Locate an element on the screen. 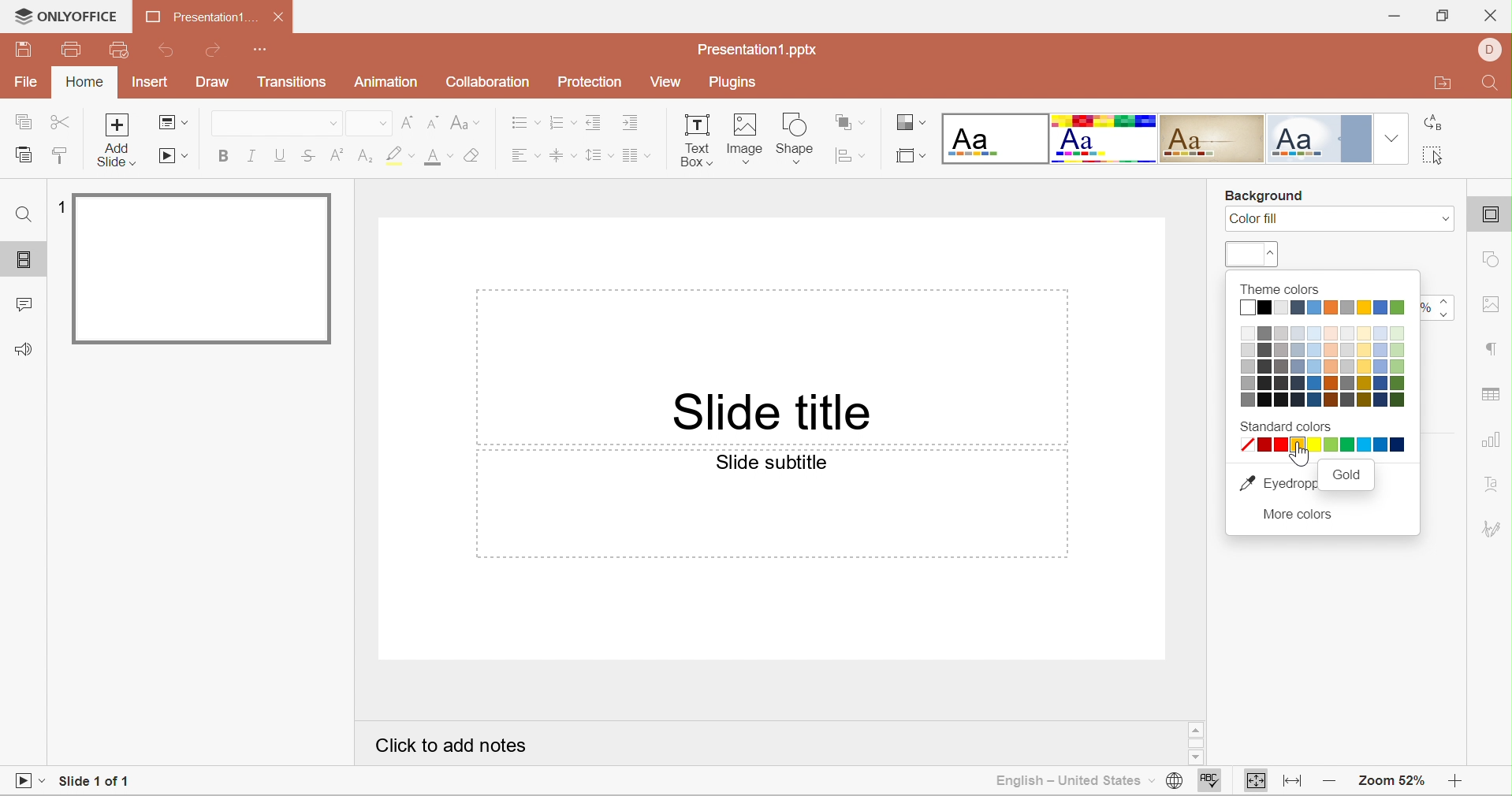 This screenshot has height=796, width=1512. Clear is located at coordinates (473, 157).